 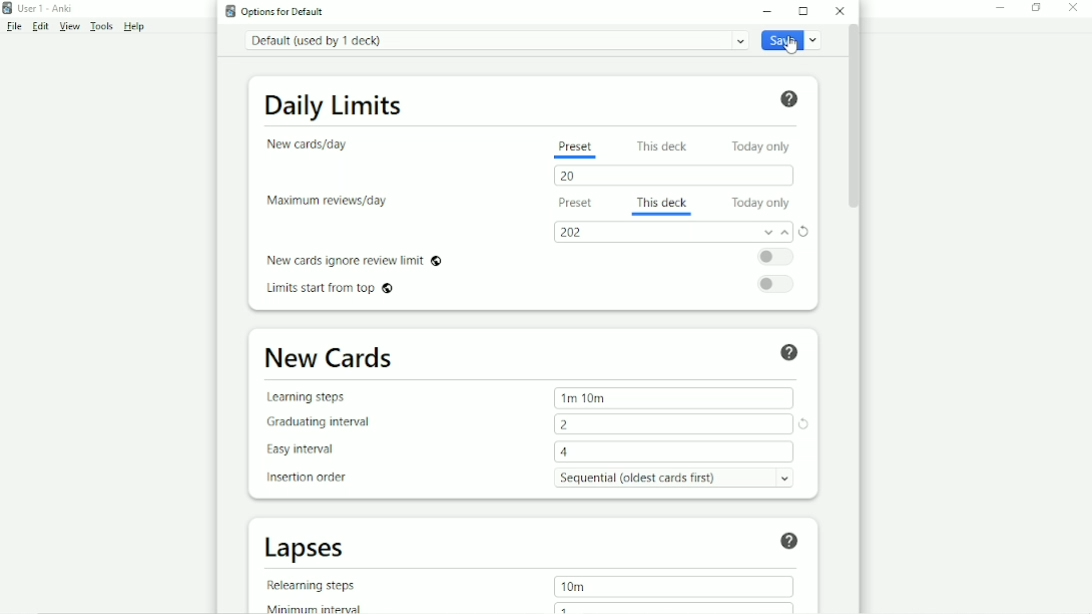 I want to click on Limits start from top, so click(x=334, y=290).